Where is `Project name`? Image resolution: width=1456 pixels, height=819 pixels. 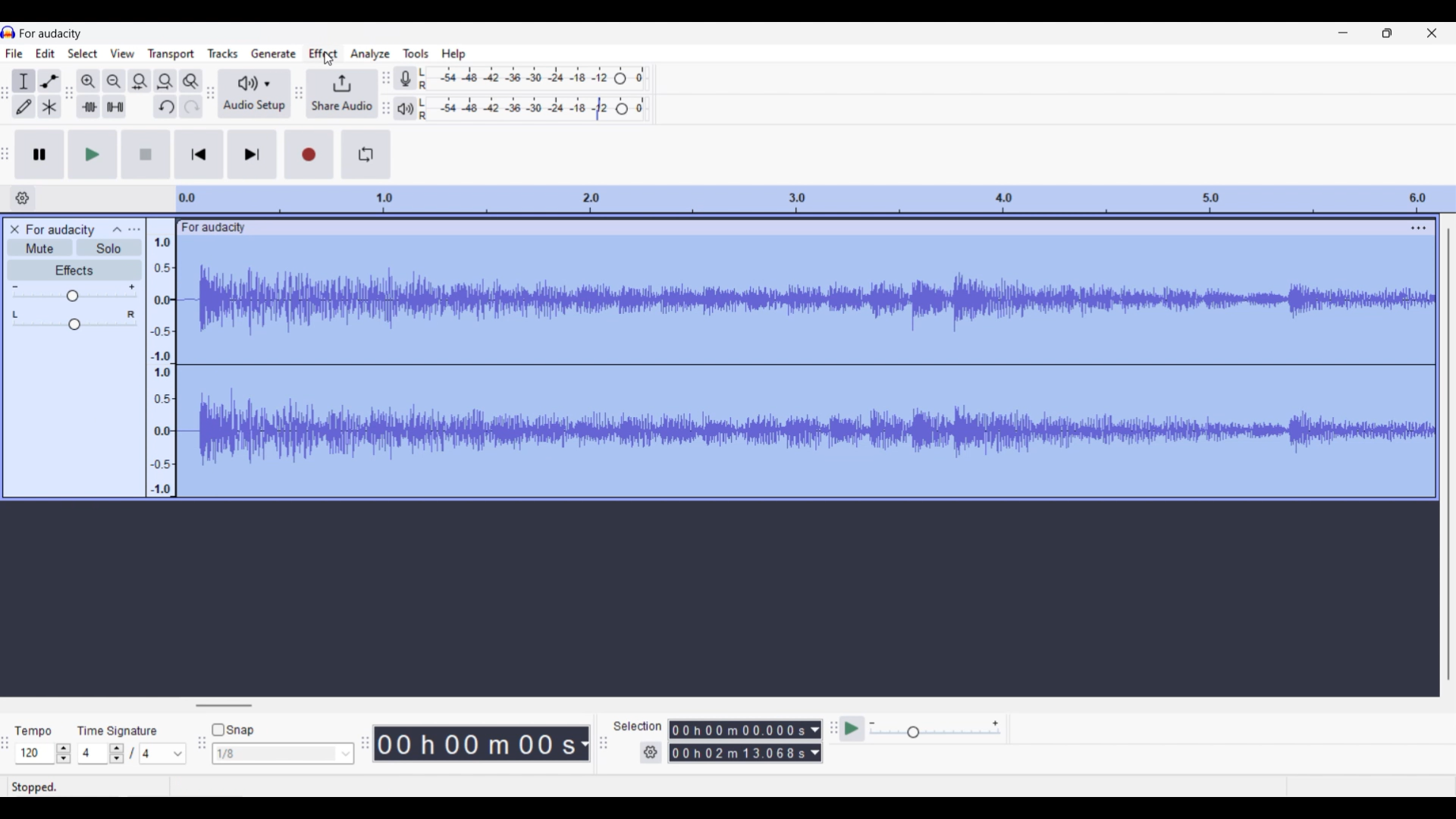 Project name is located at coordinates (50, 34).